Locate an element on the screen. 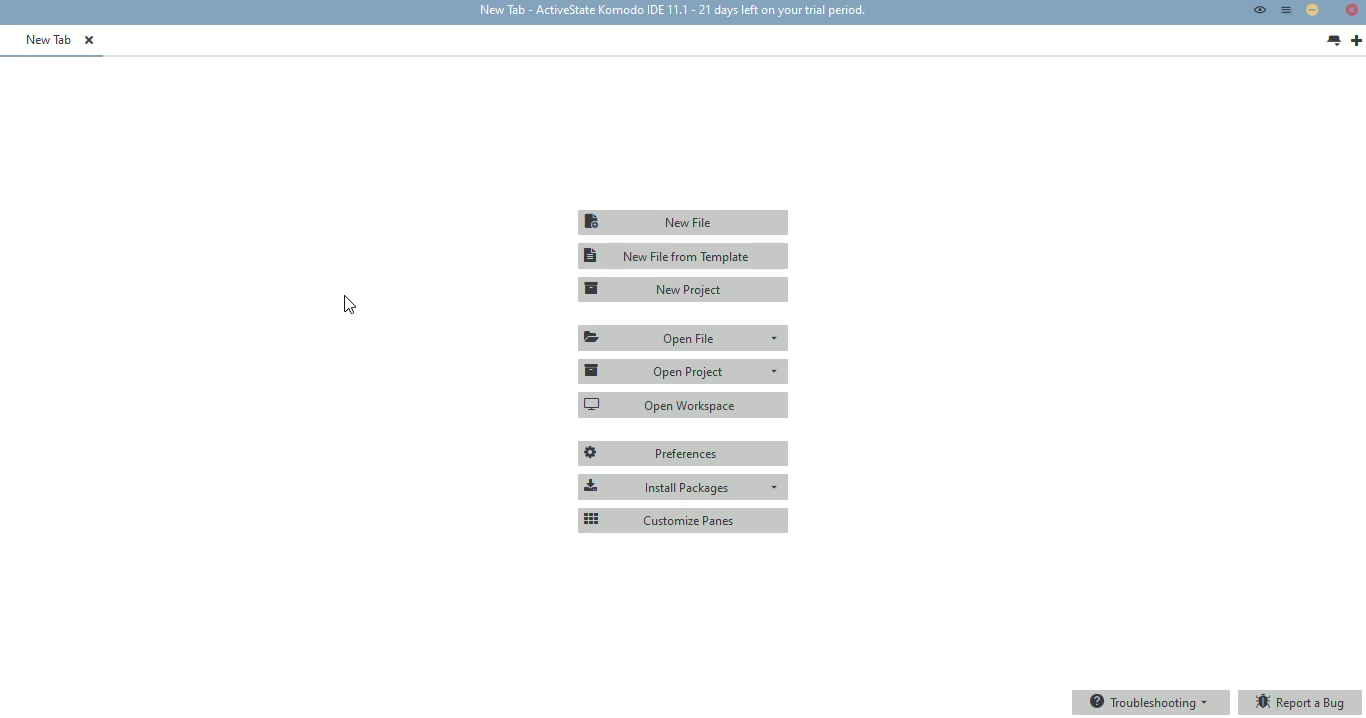  open project is located at coordinates (682, 372).